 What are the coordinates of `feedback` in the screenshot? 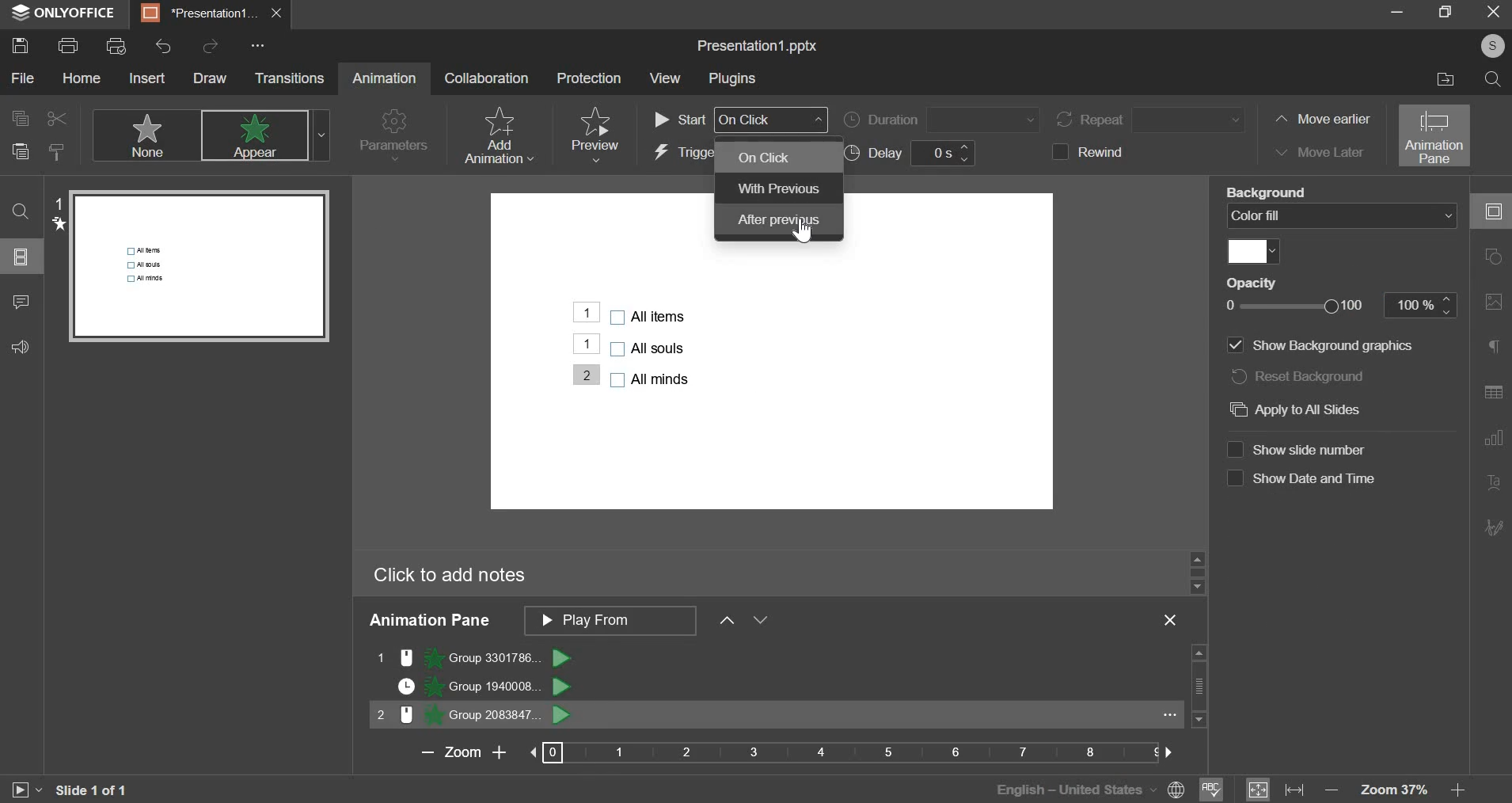 It's located at (28, 346).